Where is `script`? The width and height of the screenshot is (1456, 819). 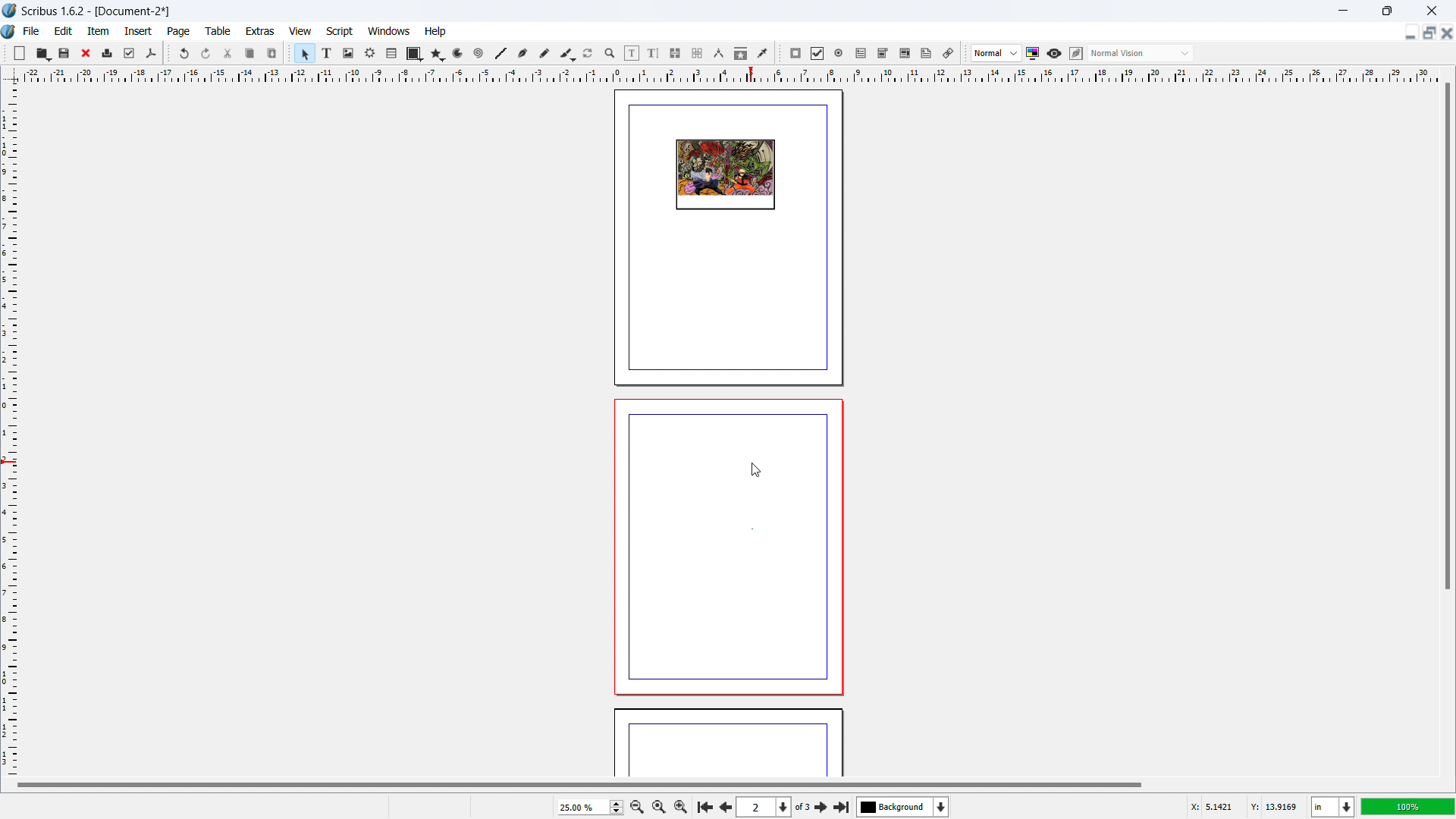
script is located at coordinates (340, 32).